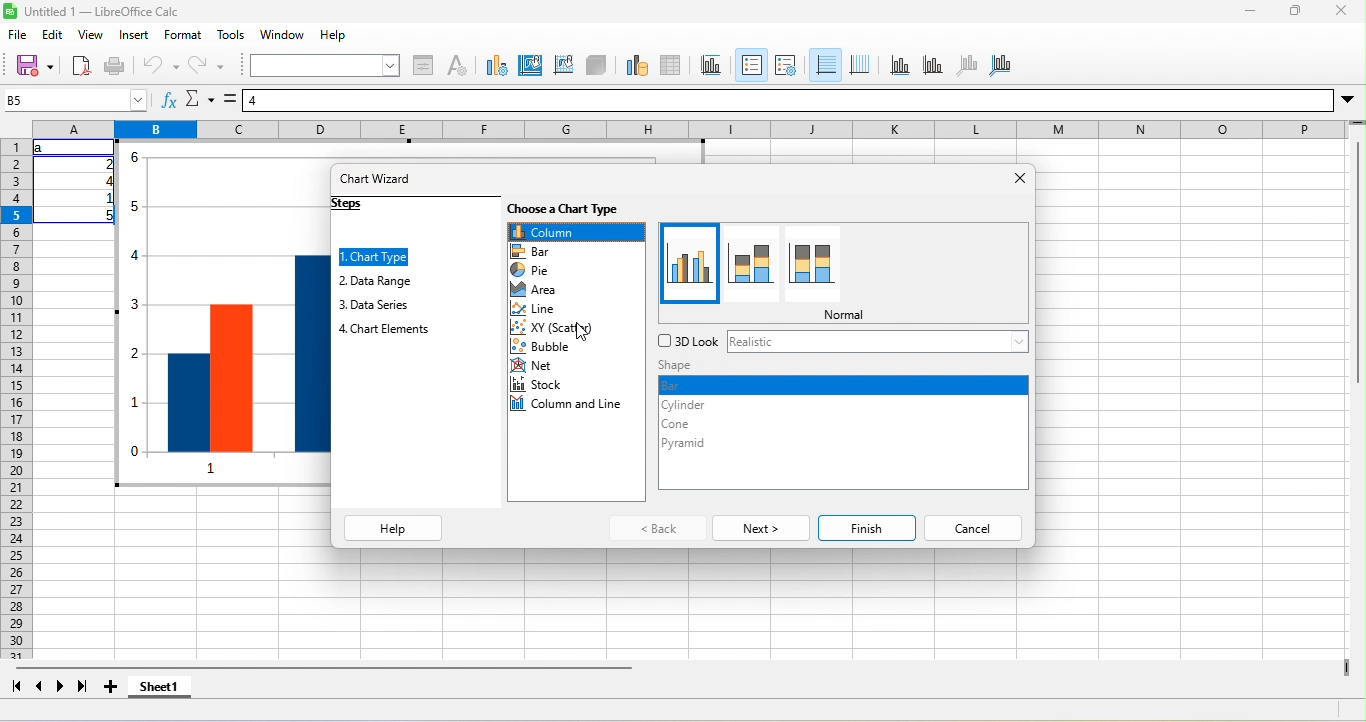 The image size is (1366, 722). Describe the element at coordinates (671, 67) in the screenshot. I see `data table` at that location.